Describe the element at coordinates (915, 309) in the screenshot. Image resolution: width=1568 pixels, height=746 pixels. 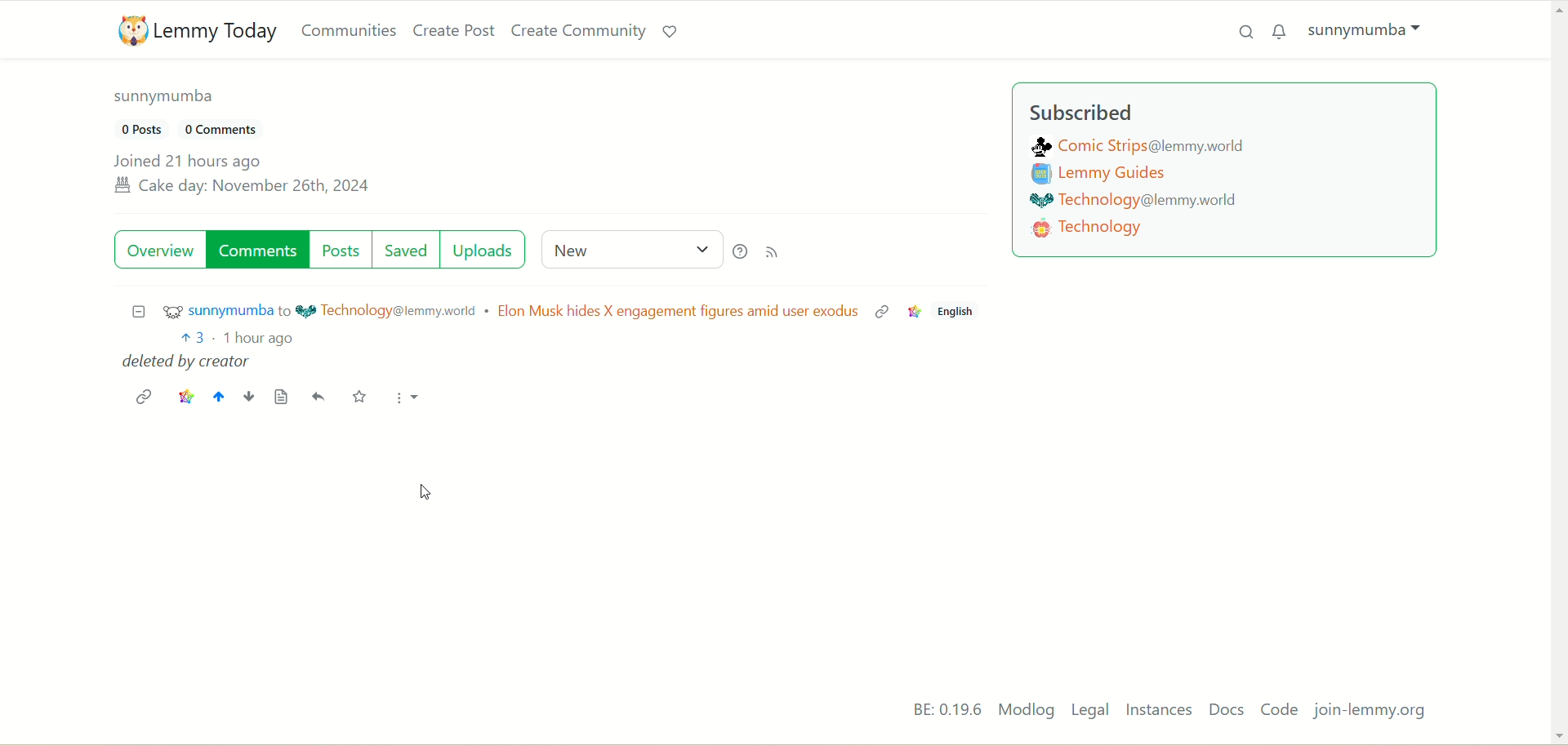
I see `context` at that location.